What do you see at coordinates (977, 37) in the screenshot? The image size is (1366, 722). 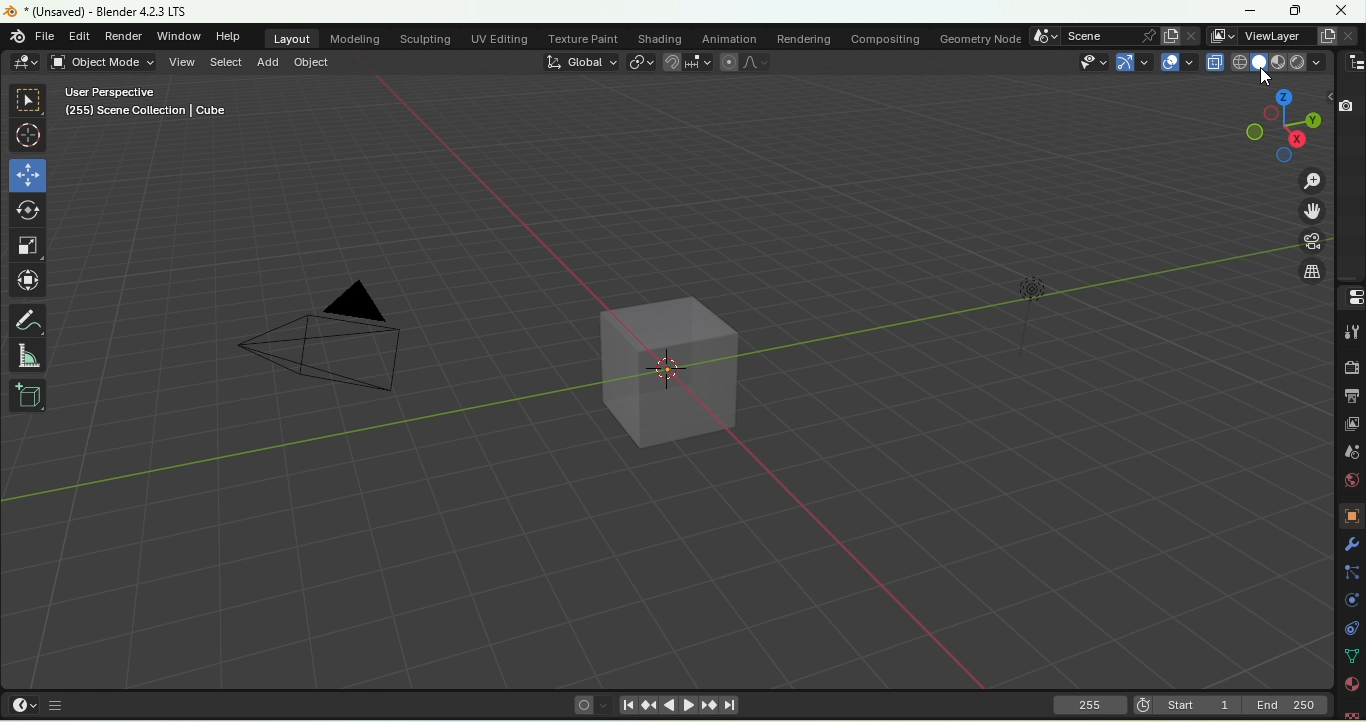 I see `Geometry node` at bounding box center [977, 37].